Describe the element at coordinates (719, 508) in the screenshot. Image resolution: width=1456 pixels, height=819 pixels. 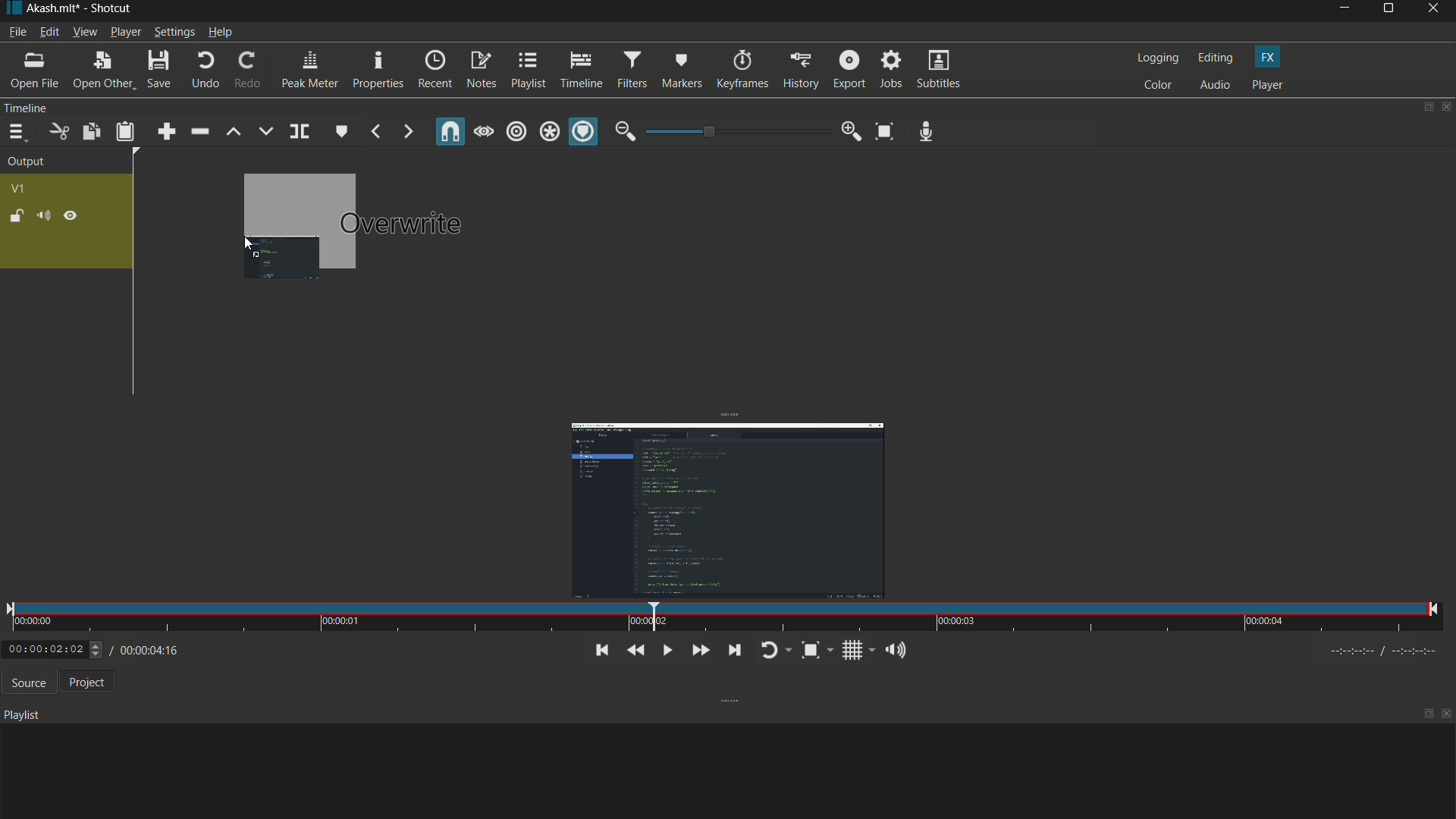
I see `imported video` at that location.